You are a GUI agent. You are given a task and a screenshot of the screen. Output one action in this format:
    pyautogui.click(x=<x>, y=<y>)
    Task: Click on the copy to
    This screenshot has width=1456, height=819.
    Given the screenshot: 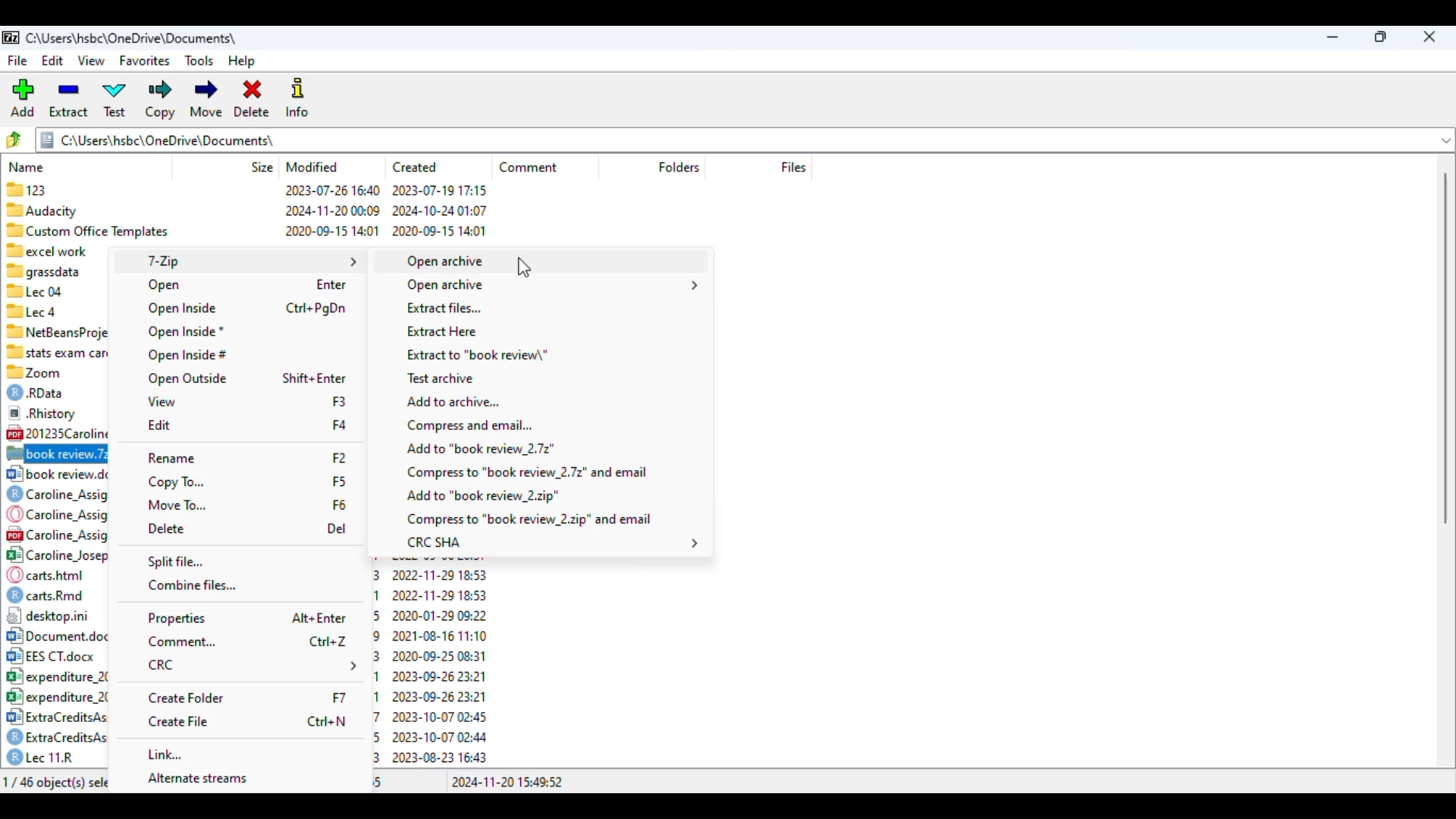 What is the action you would take?
    pyautogui.click(x=177, y=482)
    